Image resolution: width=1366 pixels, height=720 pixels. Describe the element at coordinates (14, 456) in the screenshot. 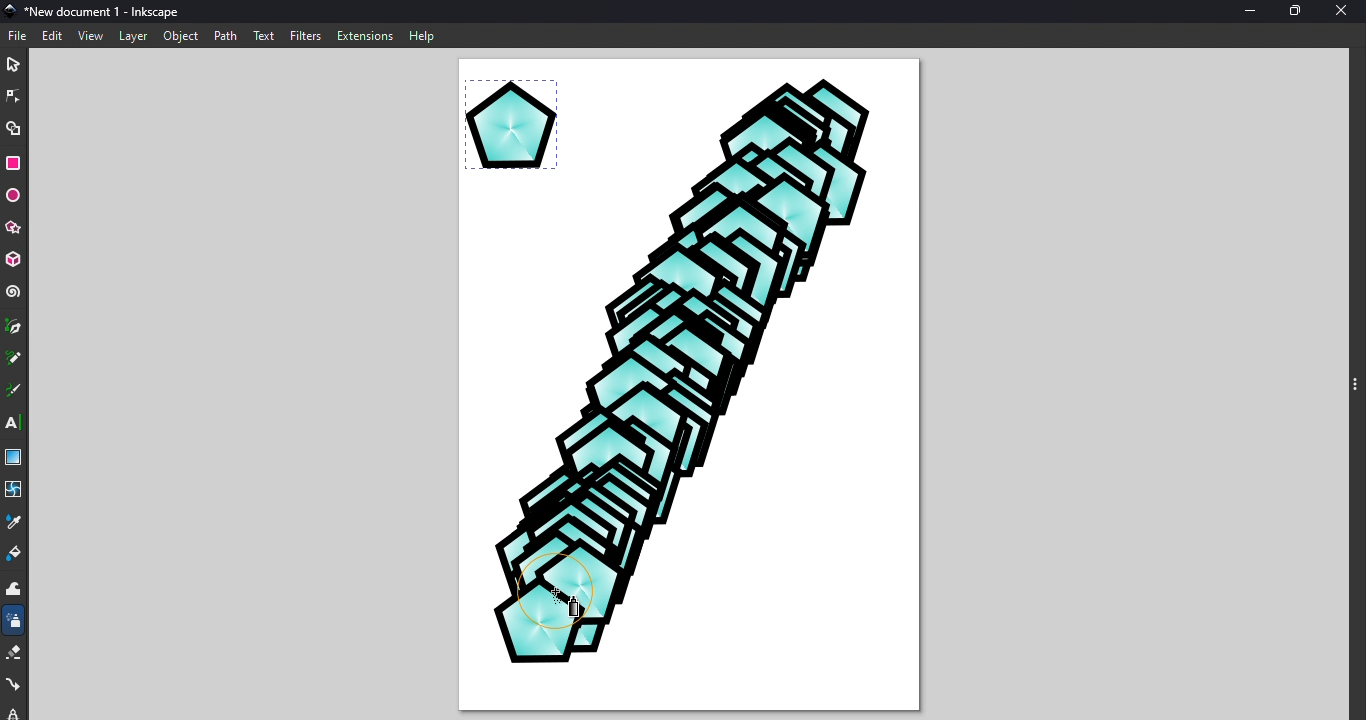

I see `Gradient tool` at that location.